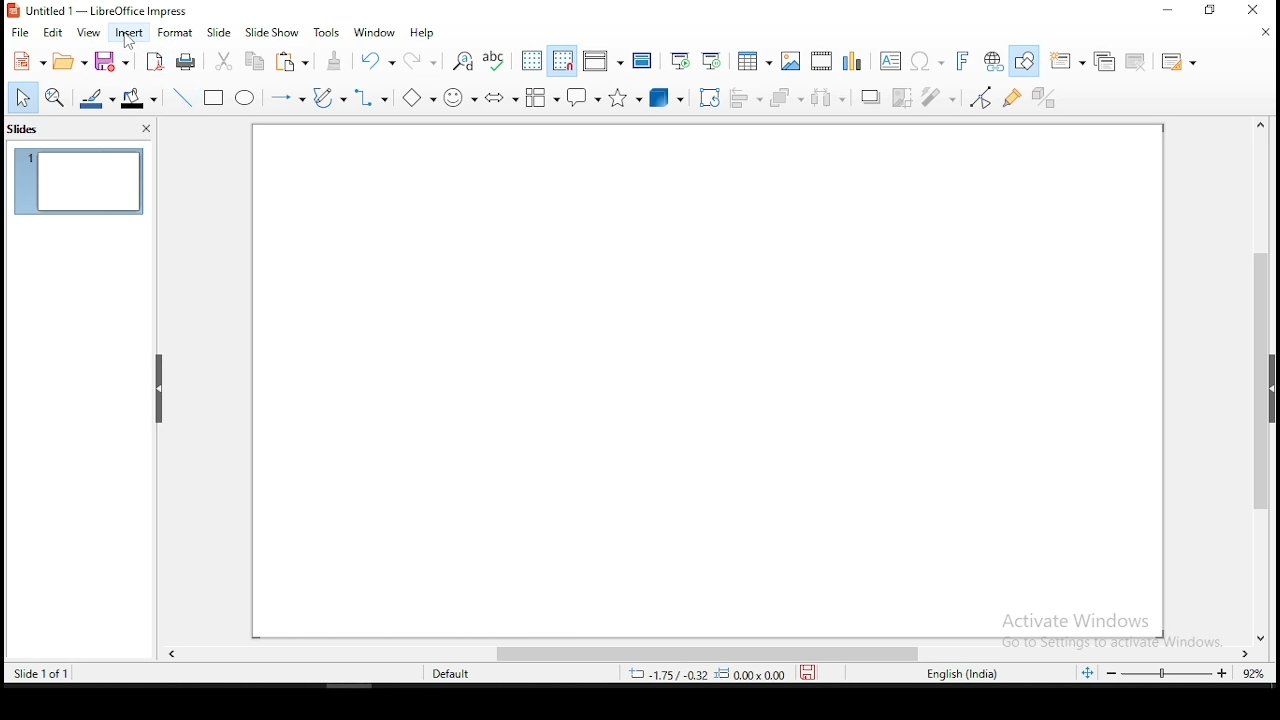 The image size is (1280, 720). What do you see at coordinates (119, 12) in the screenshot?
I see `icon and filename` at bounding box center [119, 12].